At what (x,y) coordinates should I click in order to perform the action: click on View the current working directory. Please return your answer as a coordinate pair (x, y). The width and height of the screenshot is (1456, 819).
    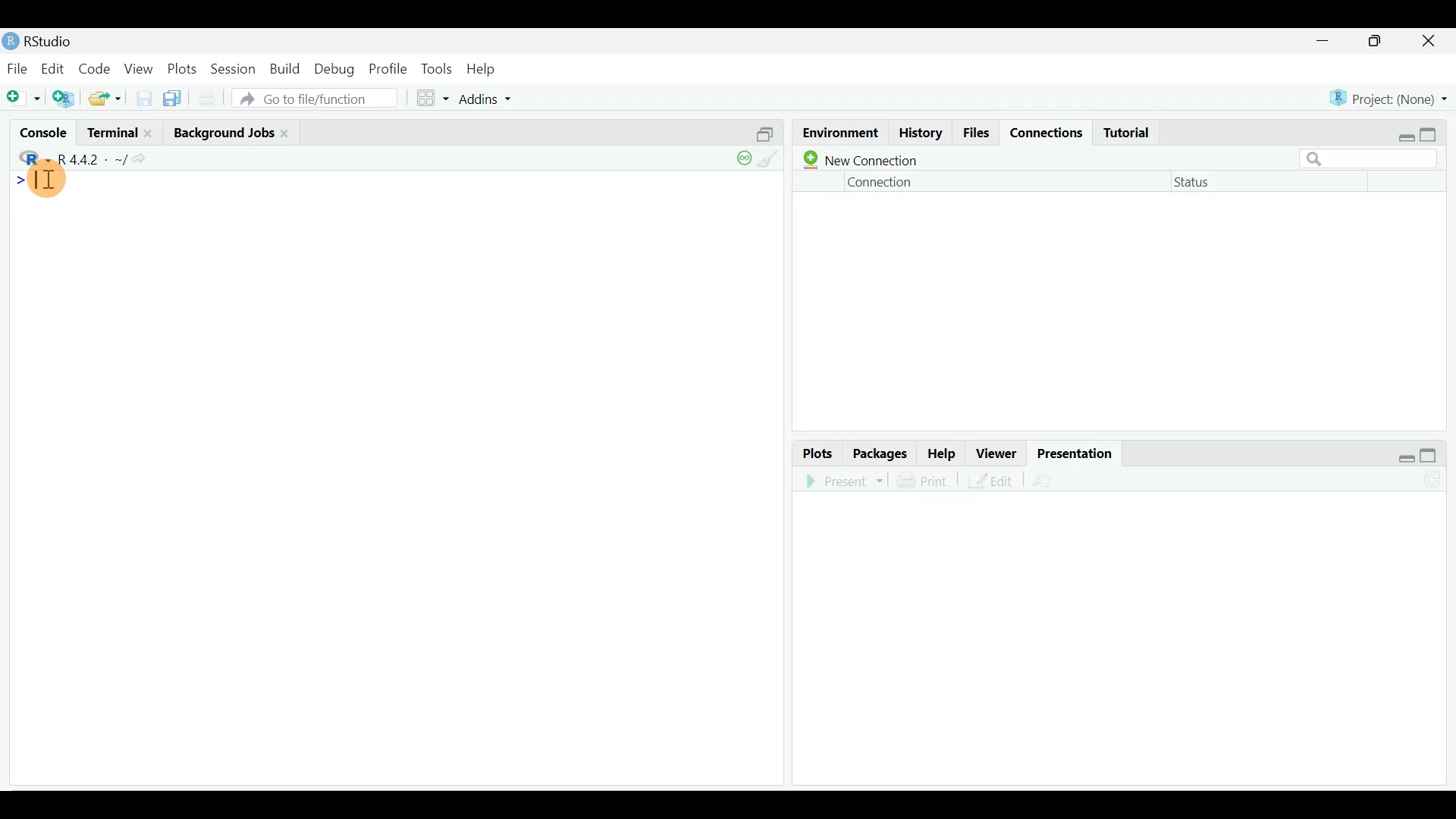
    Looking at the image, I should click on (149, 158).